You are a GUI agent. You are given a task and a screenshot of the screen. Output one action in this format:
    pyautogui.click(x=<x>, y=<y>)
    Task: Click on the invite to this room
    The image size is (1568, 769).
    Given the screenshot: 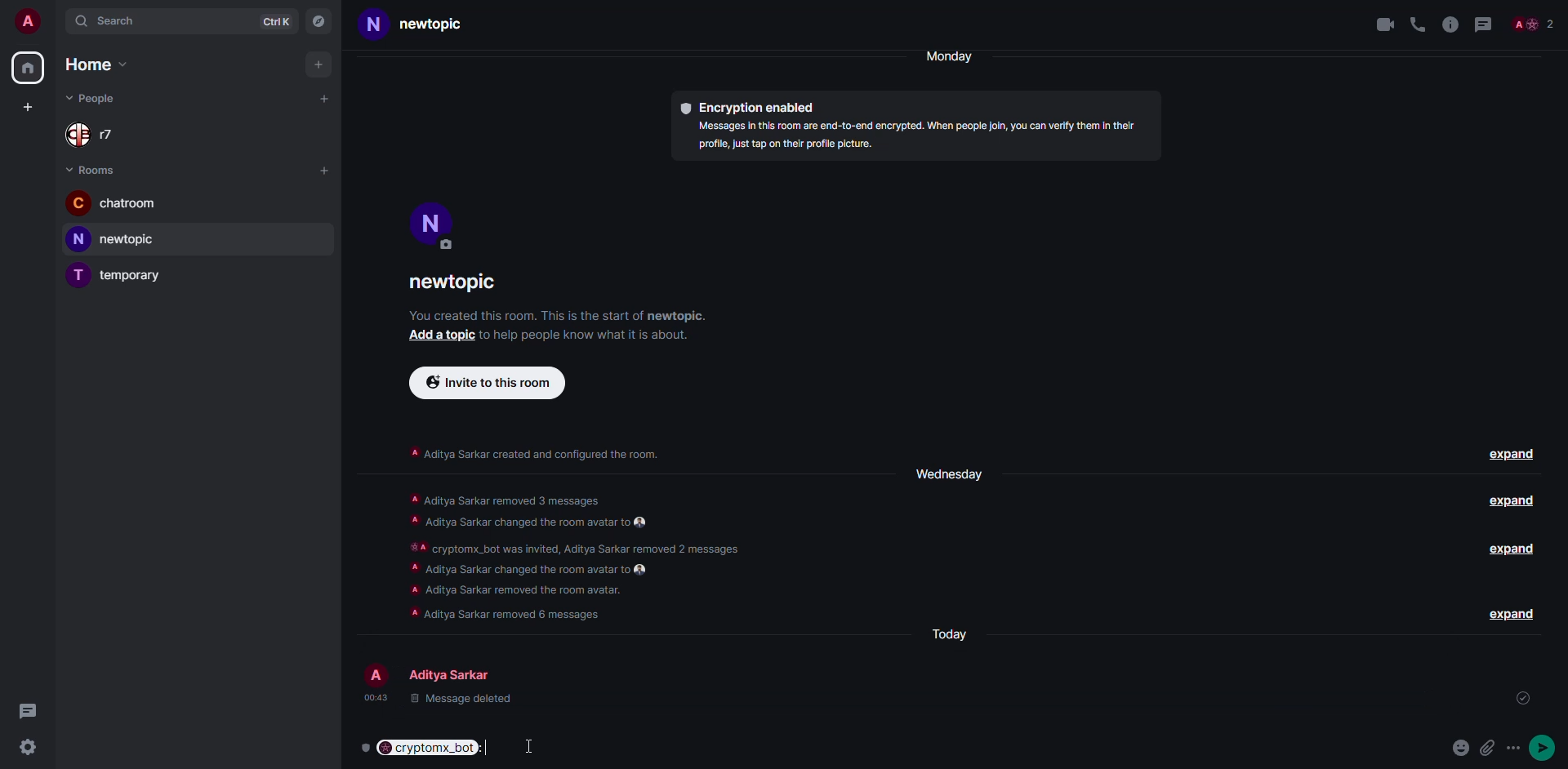 What is the action you would take?
    pyautogui.click(x=488, y=383)
    